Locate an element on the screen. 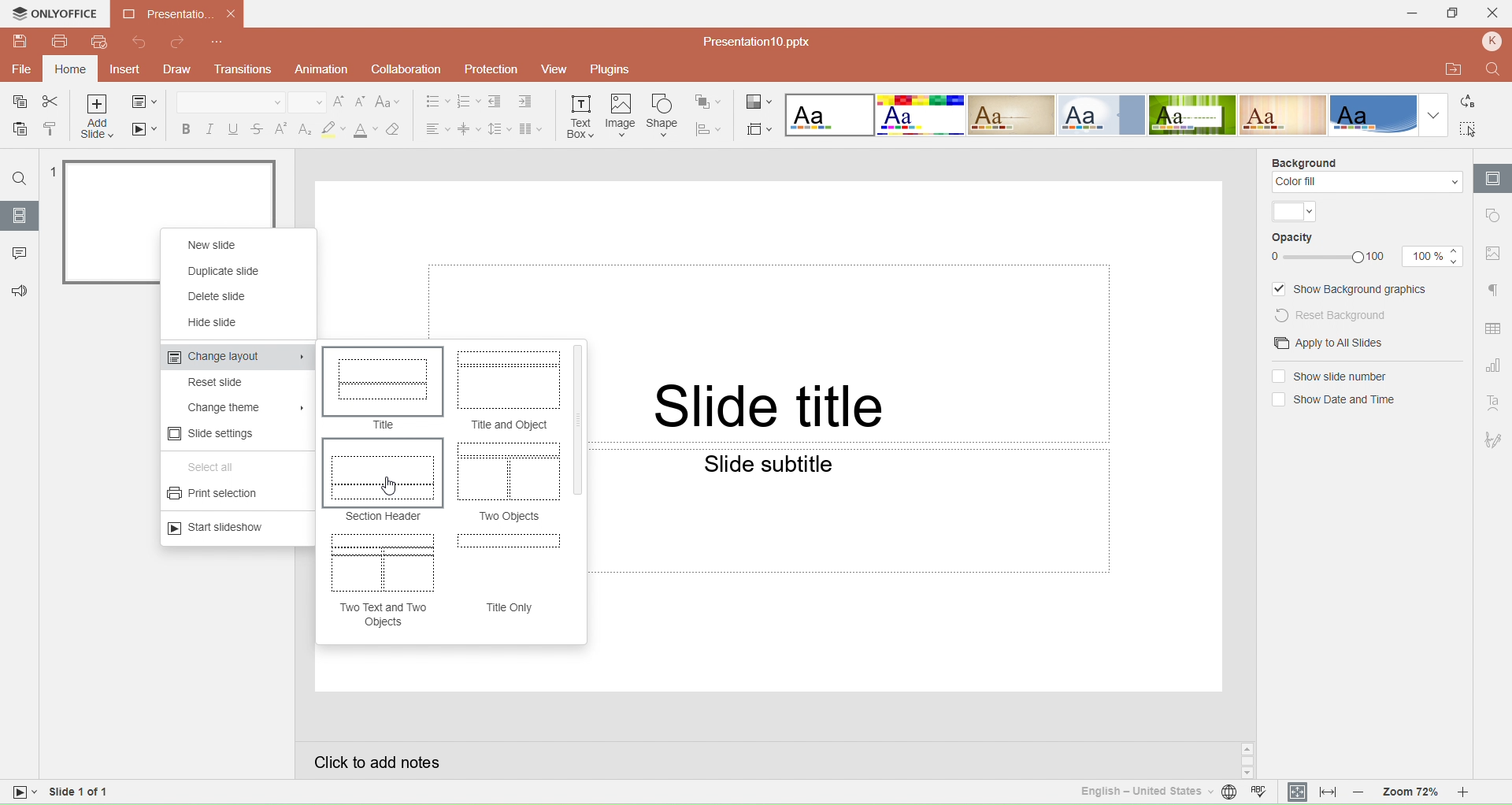  Insert is located at coordinates (124, 70).